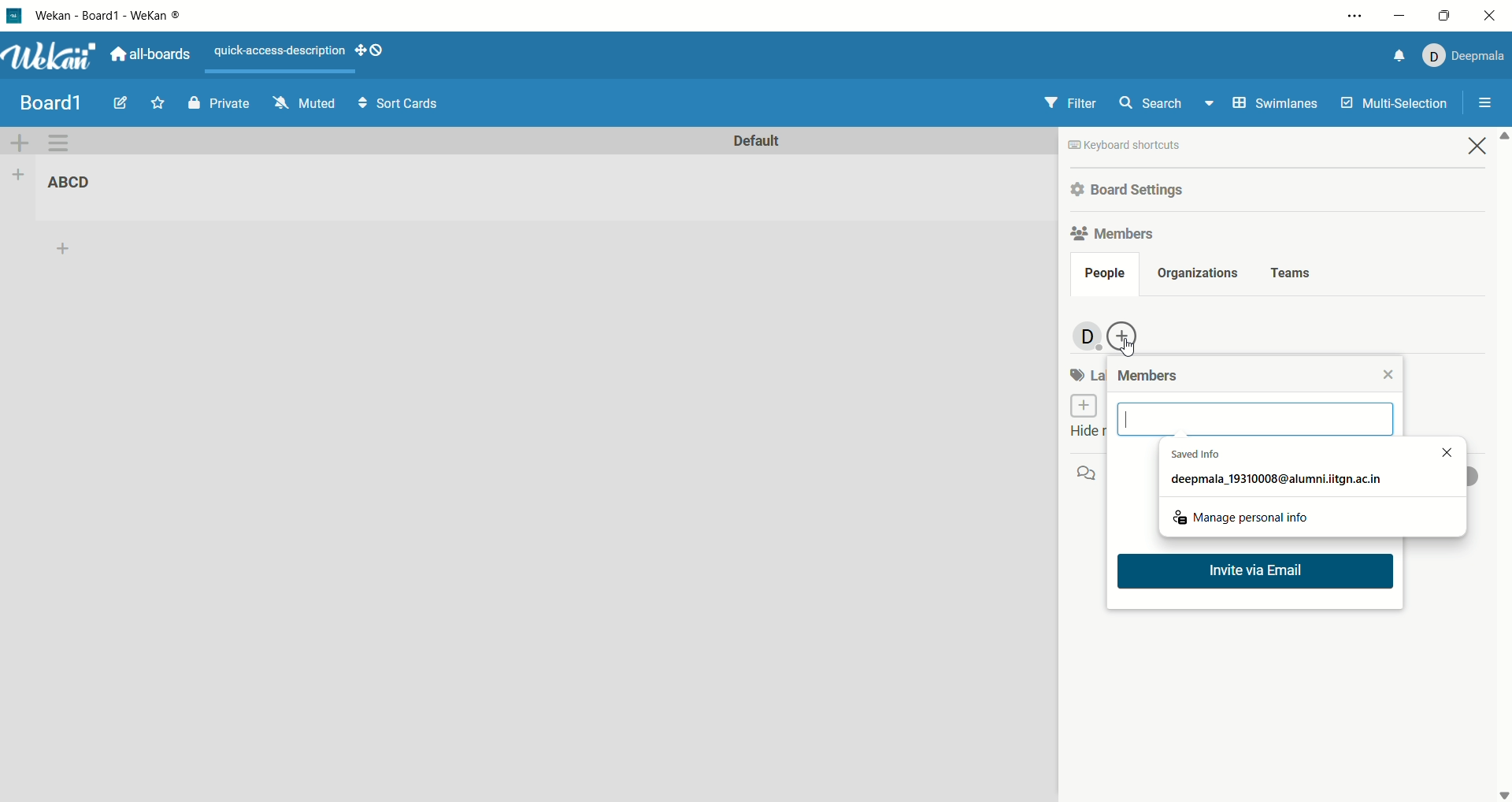 The height and width of the screenshot is (802, 1512). I want to click on teams, so click(1292, 274).